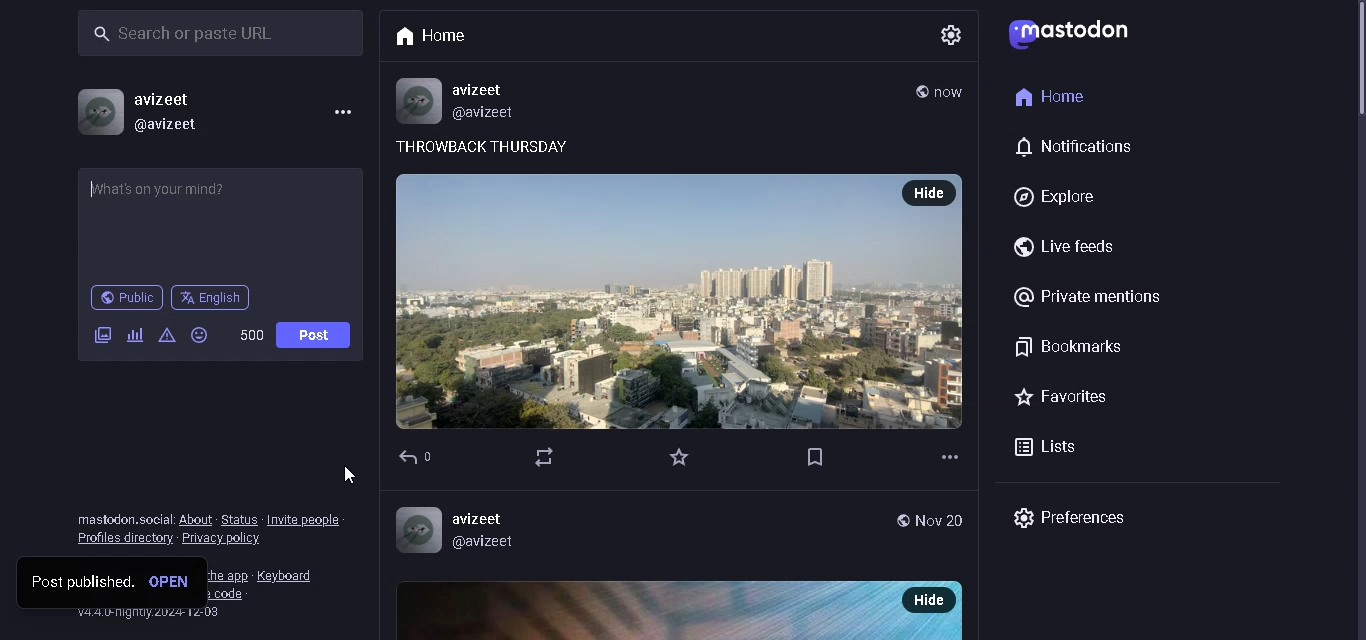 The height and width of the screenshot is (640, 1366). What do you see at coordinates (100, 336) in the screenshot?
I see `add images` at bounding box center [100, 336].